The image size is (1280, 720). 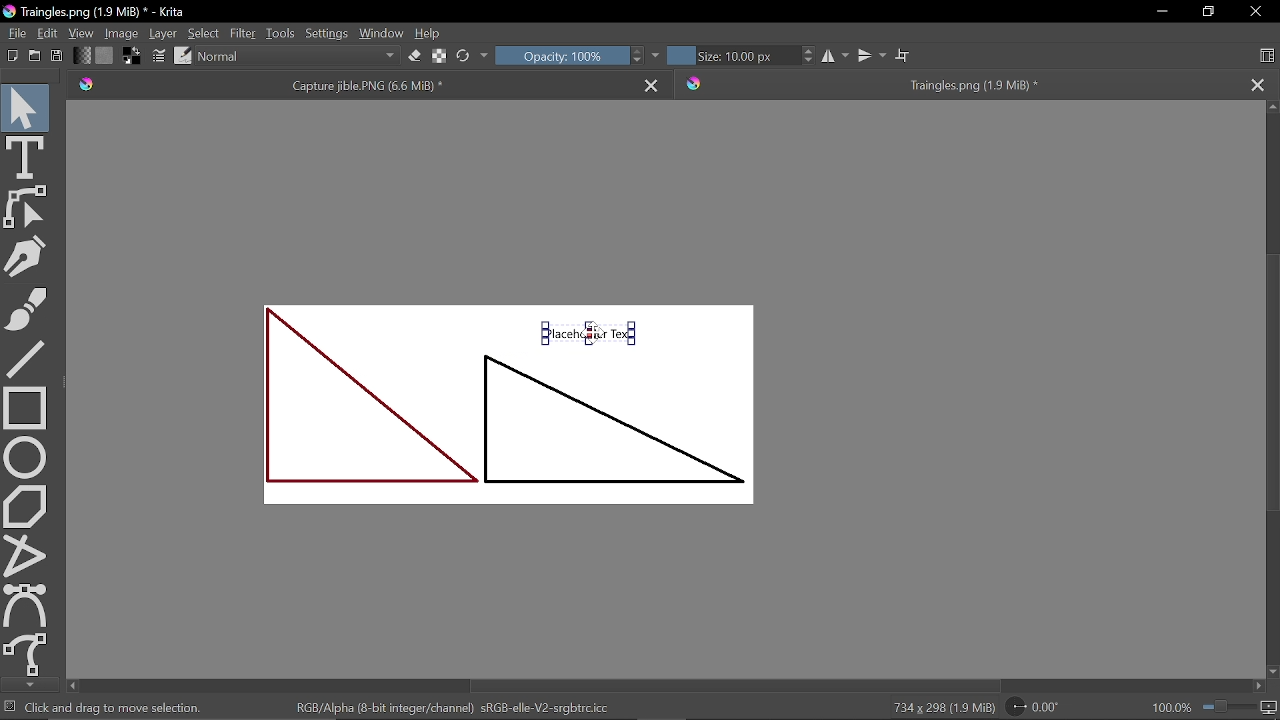 I want to click on Select, so click(x=203, y=33).